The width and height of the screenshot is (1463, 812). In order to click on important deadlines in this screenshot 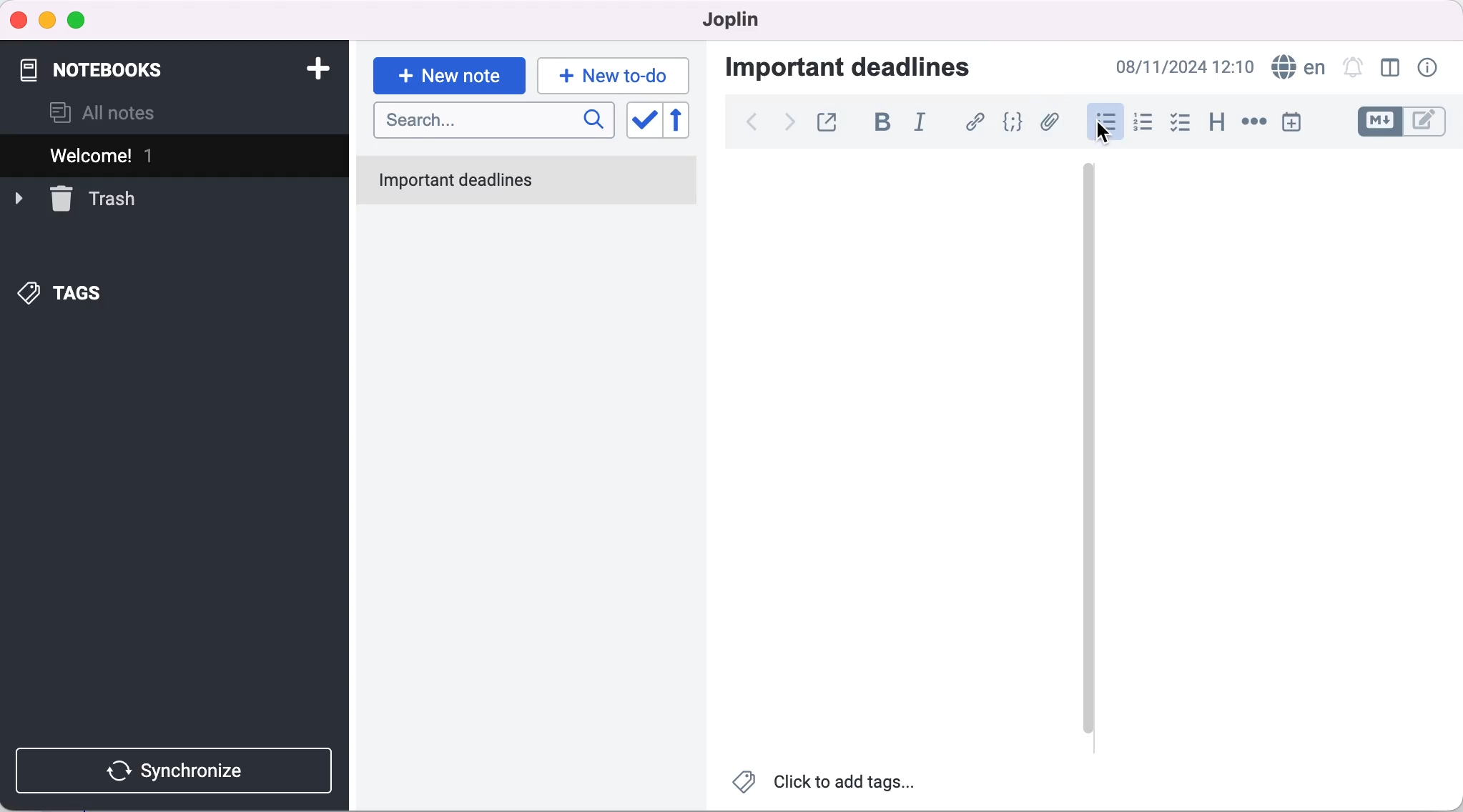, I will do `click(863, 70)`.